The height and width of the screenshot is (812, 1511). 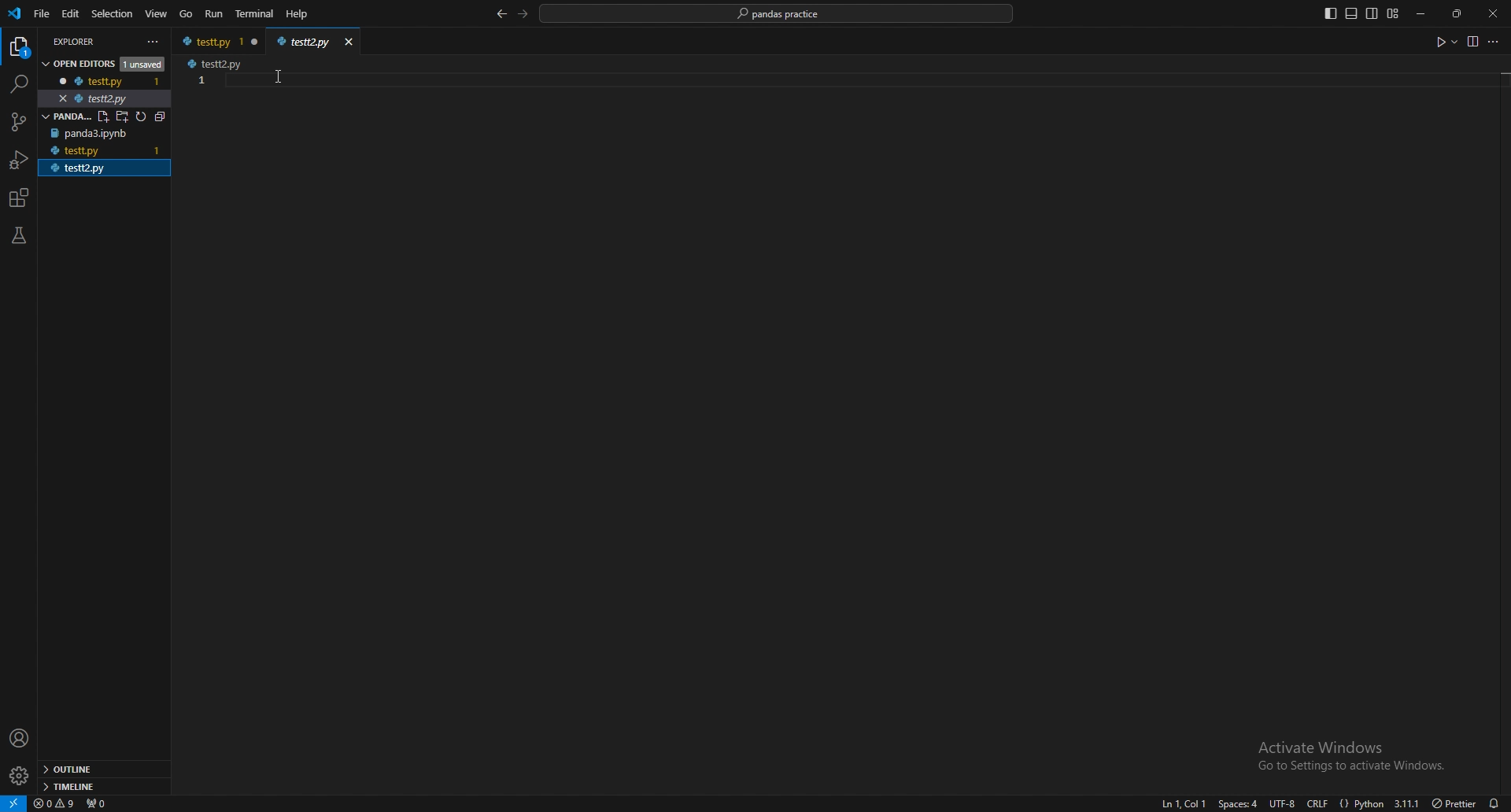 What do you see at coordinates (1493, 13) in the screenshot?
I see `close` at bounding box center [1493, 13].